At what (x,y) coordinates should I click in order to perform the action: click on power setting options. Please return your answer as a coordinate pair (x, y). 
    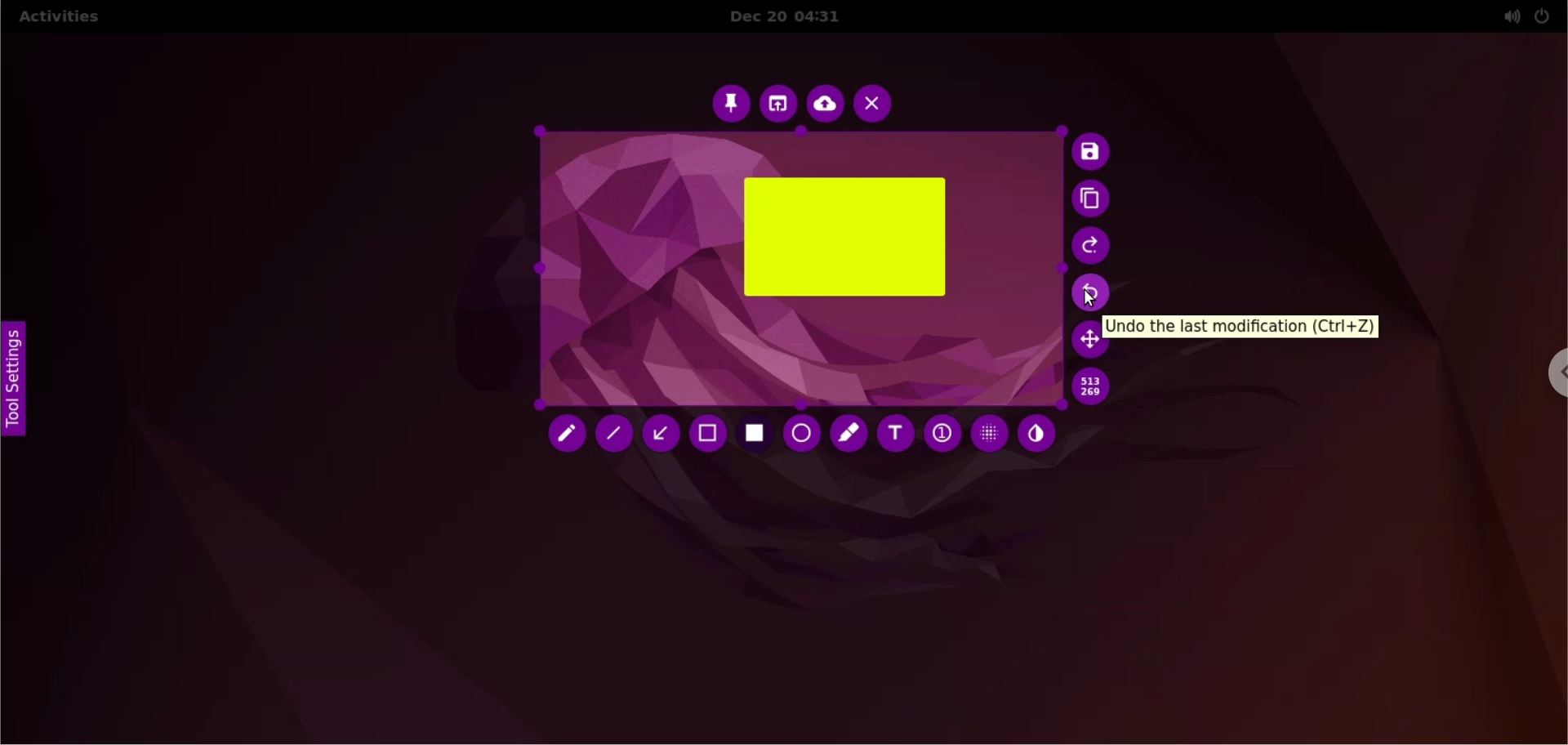
    Looking at the image, I should click on (1548, 15).